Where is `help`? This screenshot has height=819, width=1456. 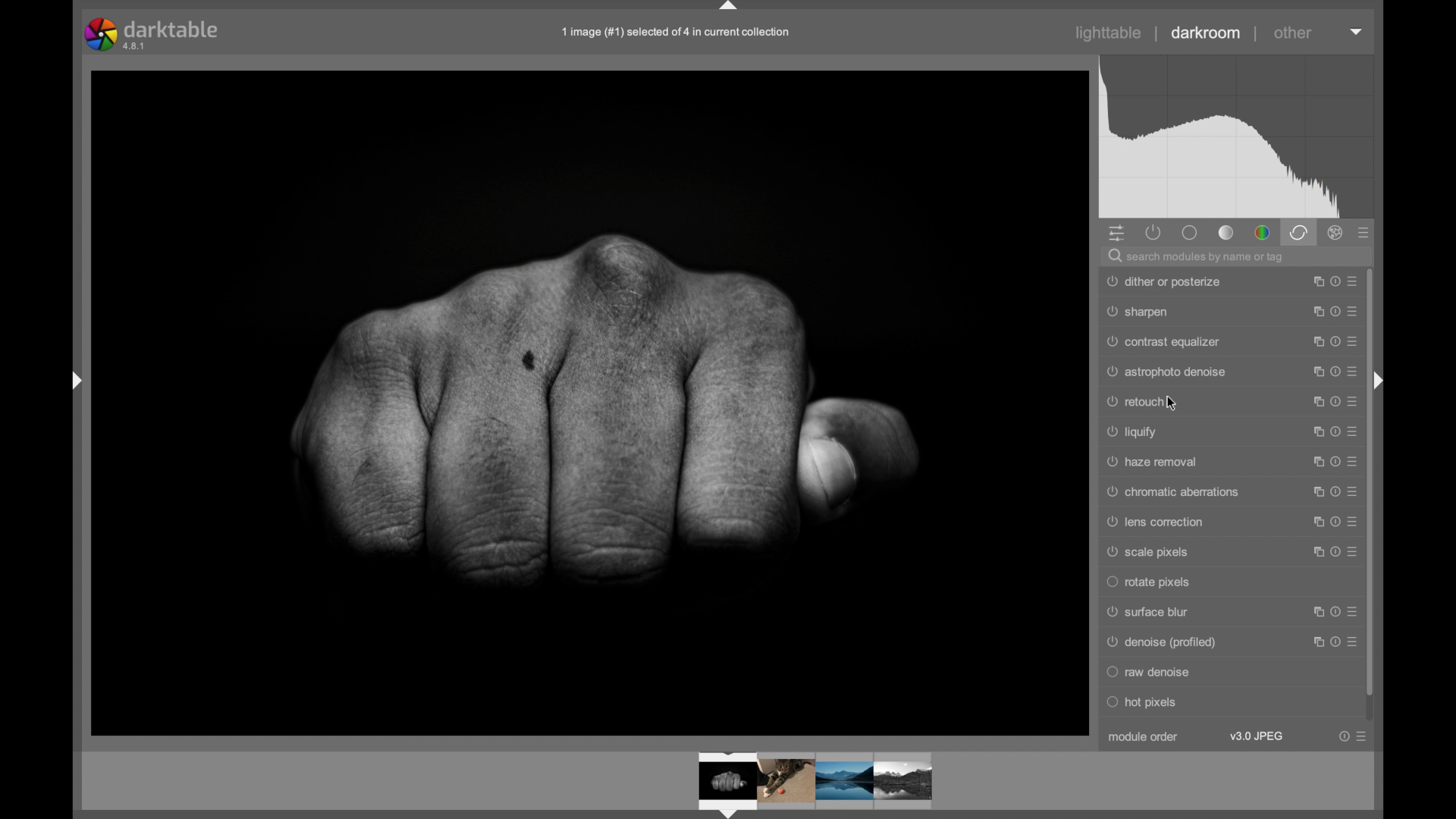 help is located at coordinates (1332, 403).